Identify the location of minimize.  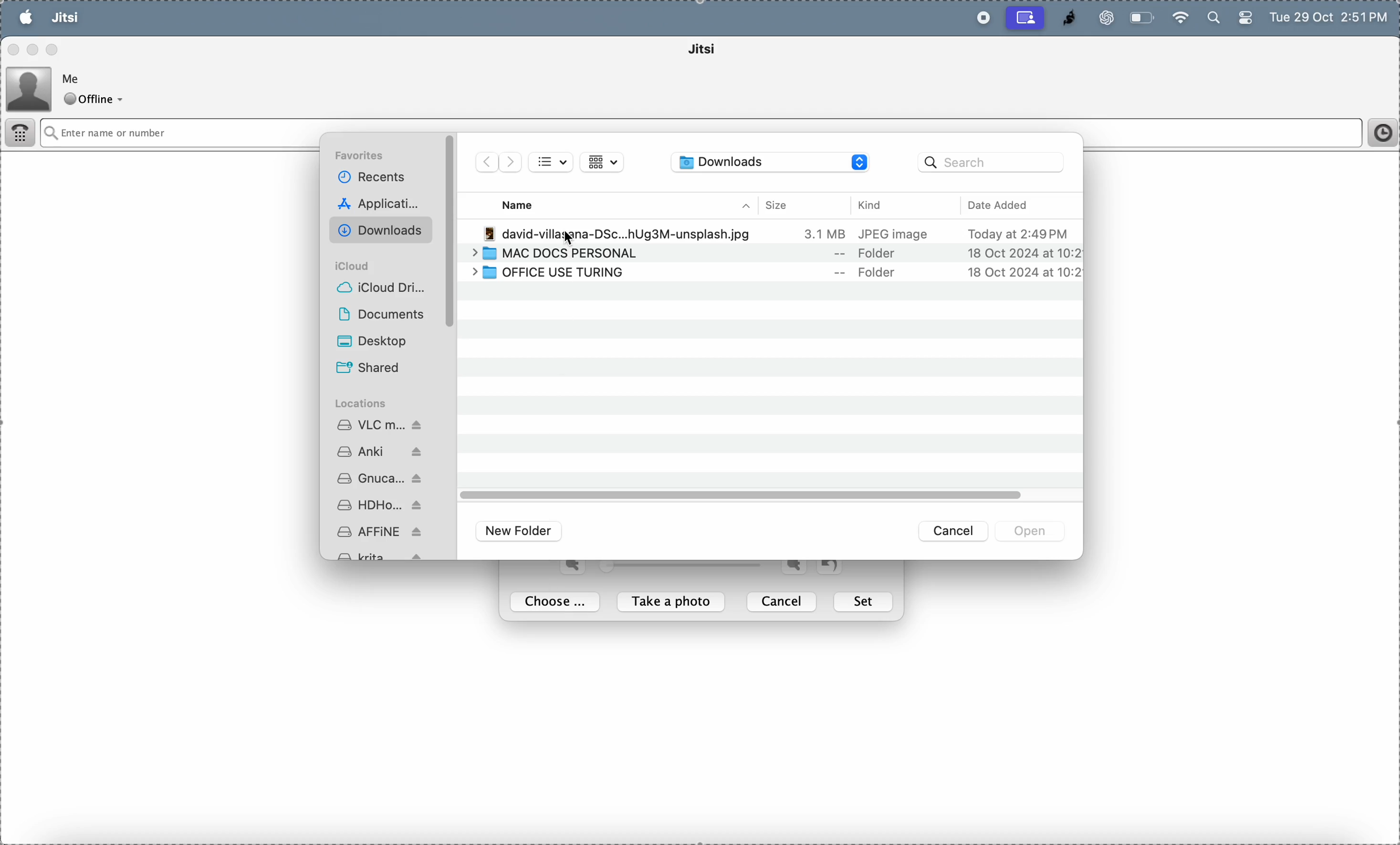
(35, 49).